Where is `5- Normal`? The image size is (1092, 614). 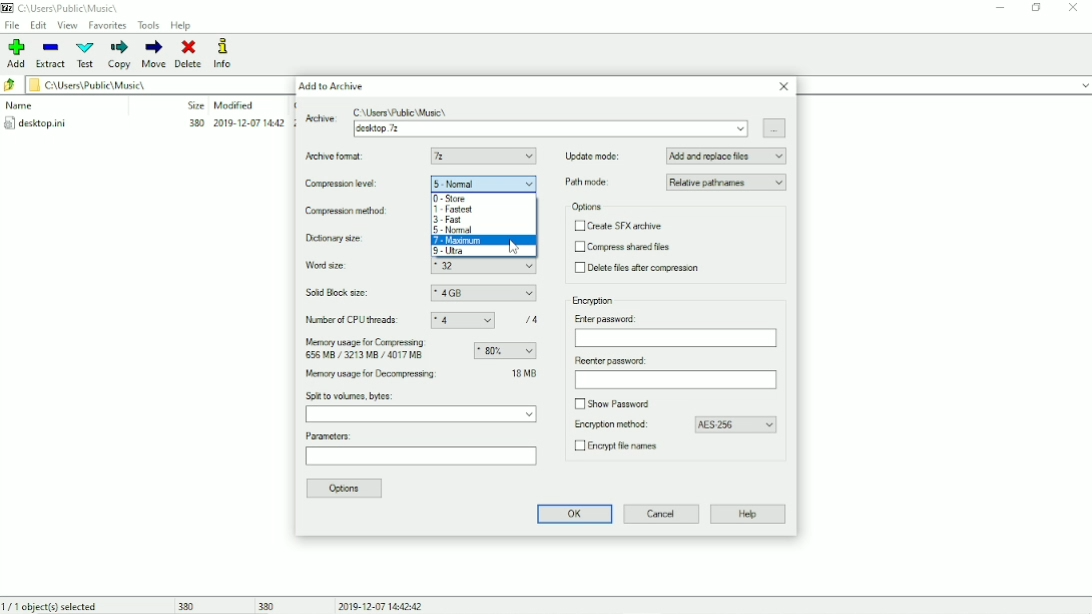
5- Normal is located at coordinates (484, 183).